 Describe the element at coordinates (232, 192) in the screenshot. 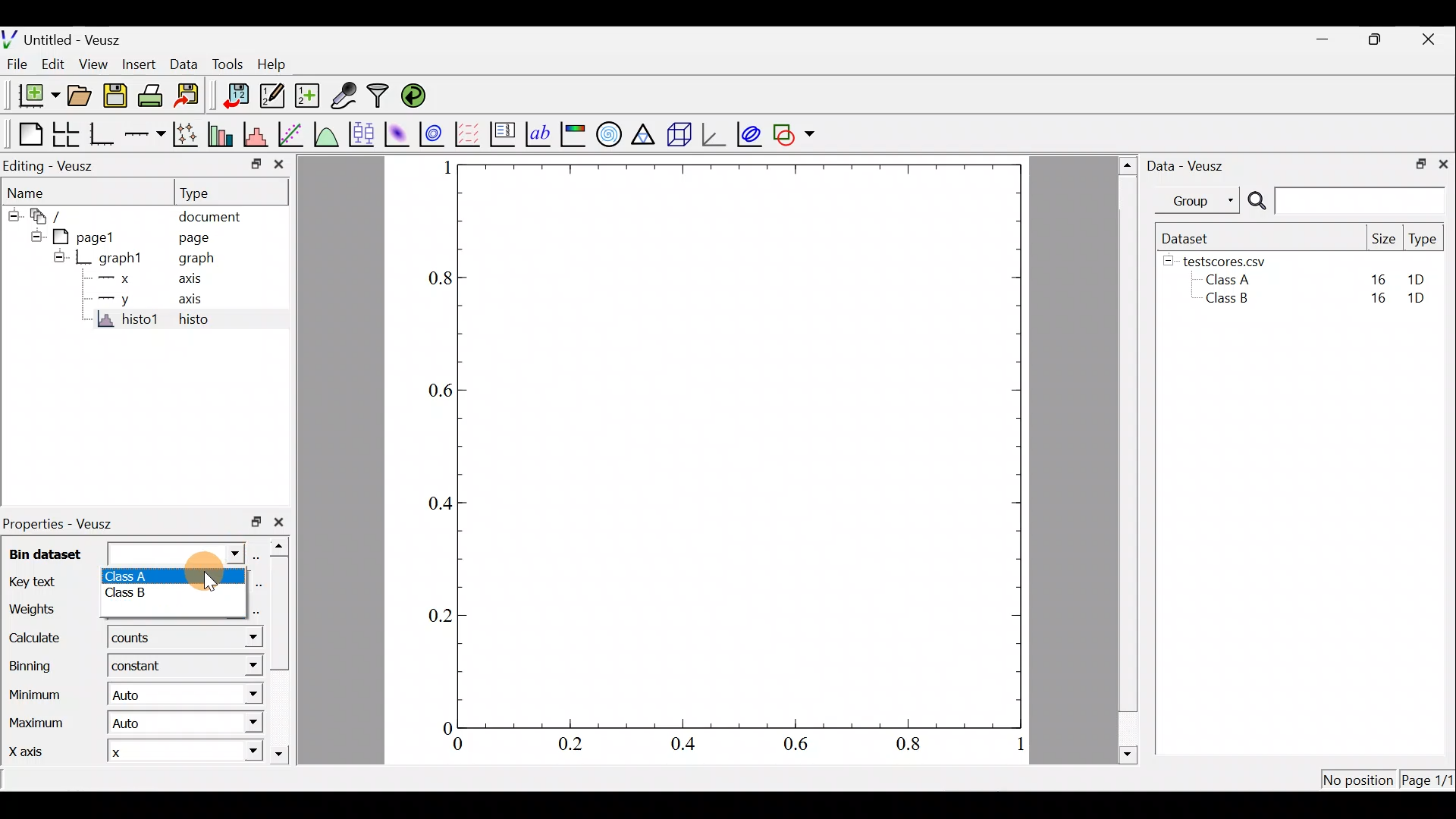

I see `Type` at that location.